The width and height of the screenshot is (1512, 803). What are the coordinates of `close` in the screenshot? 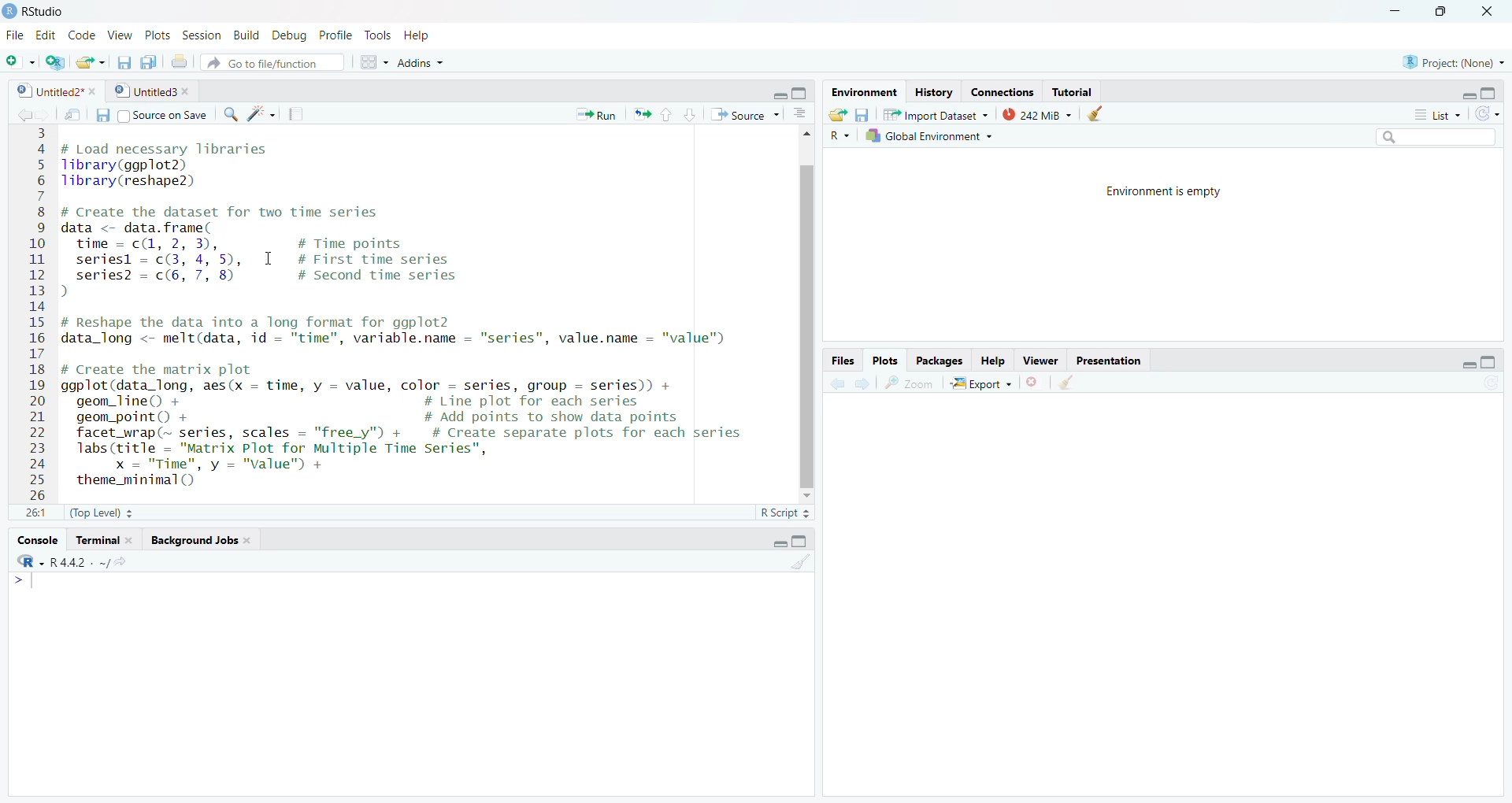 It's located at (95, 91).